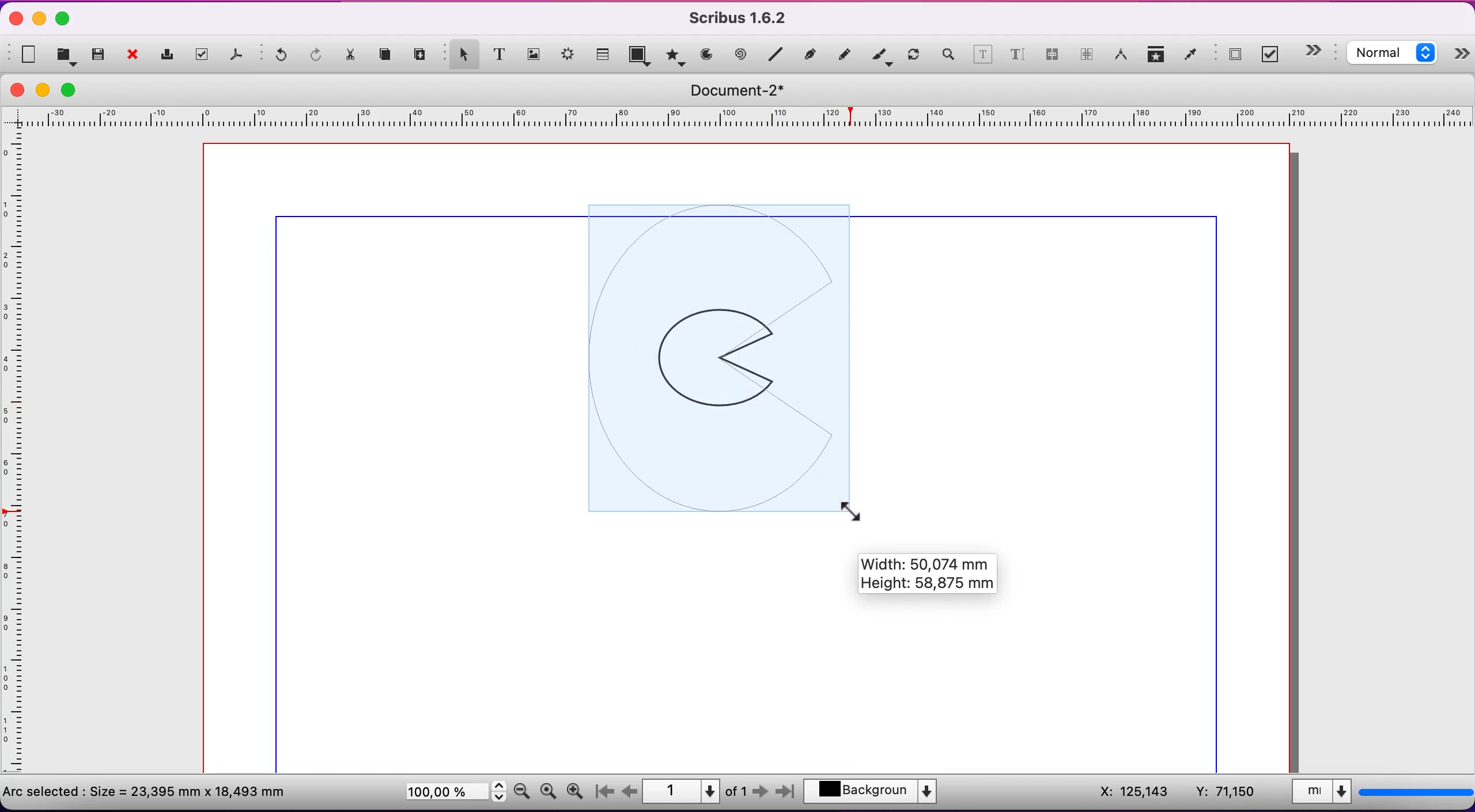 The height and width of the screenshot is (812, 1475). What do you see at coordinates (914, 56) in the screenshot?
I see `rotate an item` at bounding box center [914, 56].